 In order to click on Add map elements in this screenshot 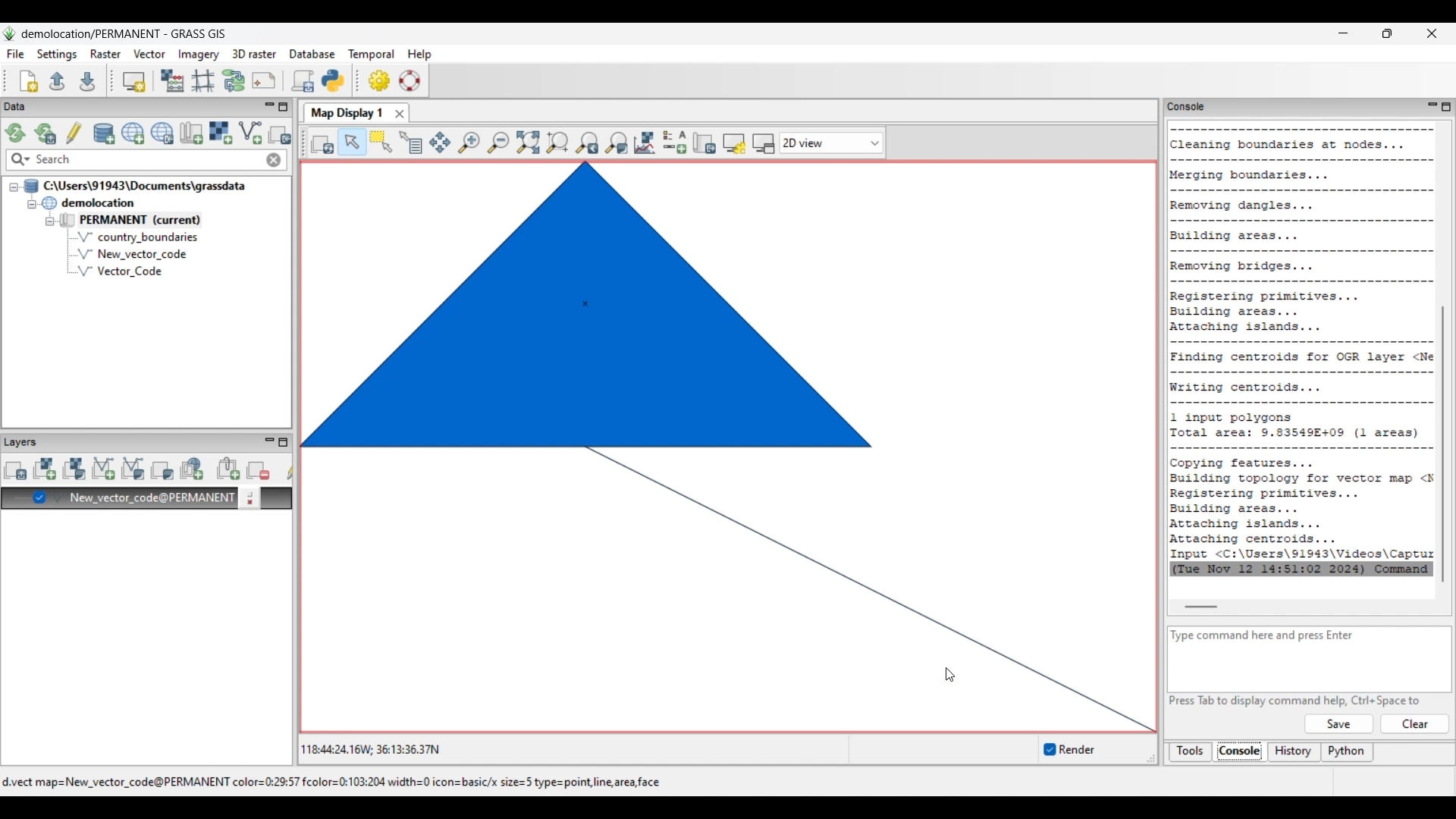, I will do `click(676, 143)`.